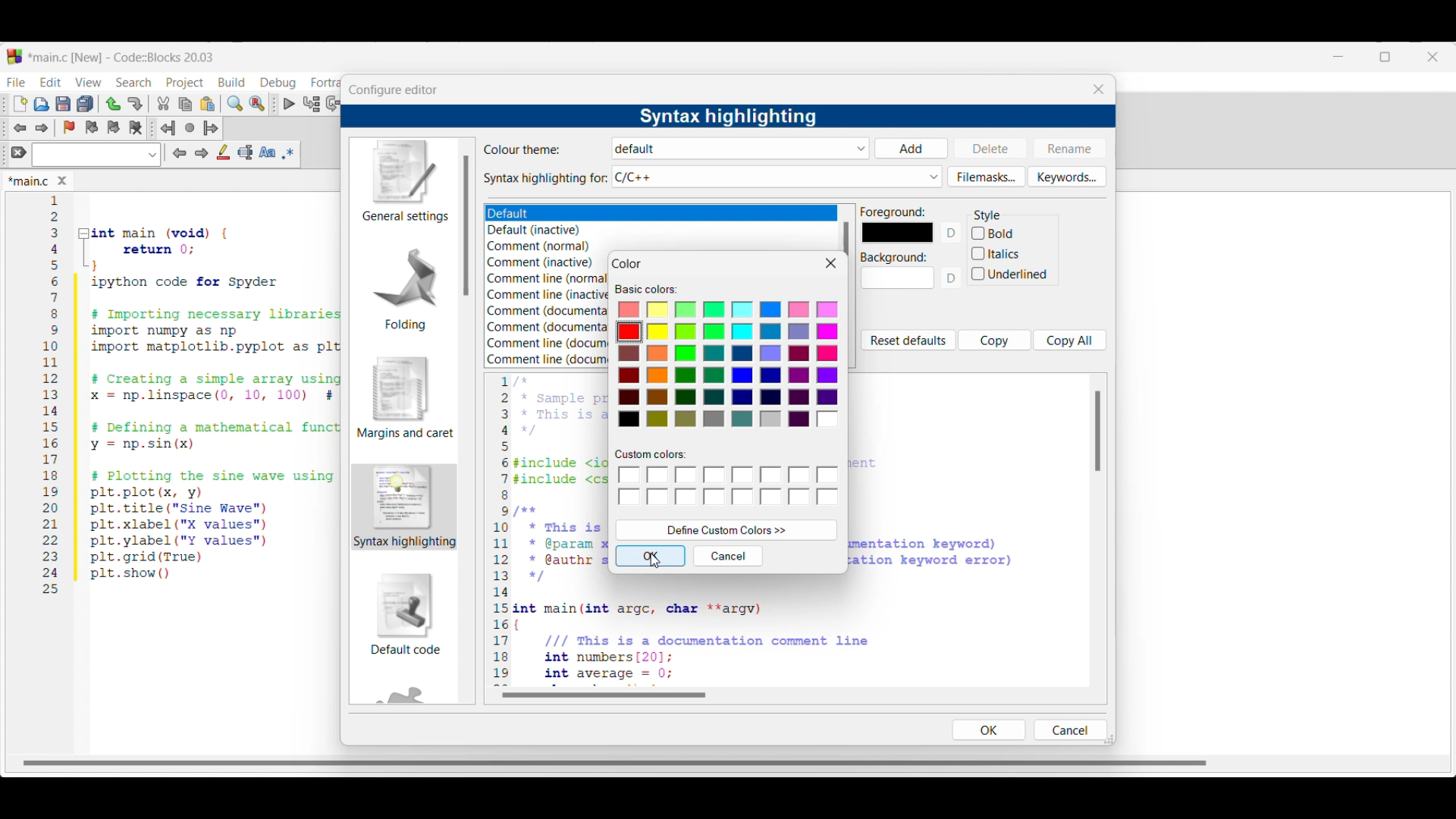  Describe the element at coordinates (20, 104) in the screenshot. I see `New file` at that location.